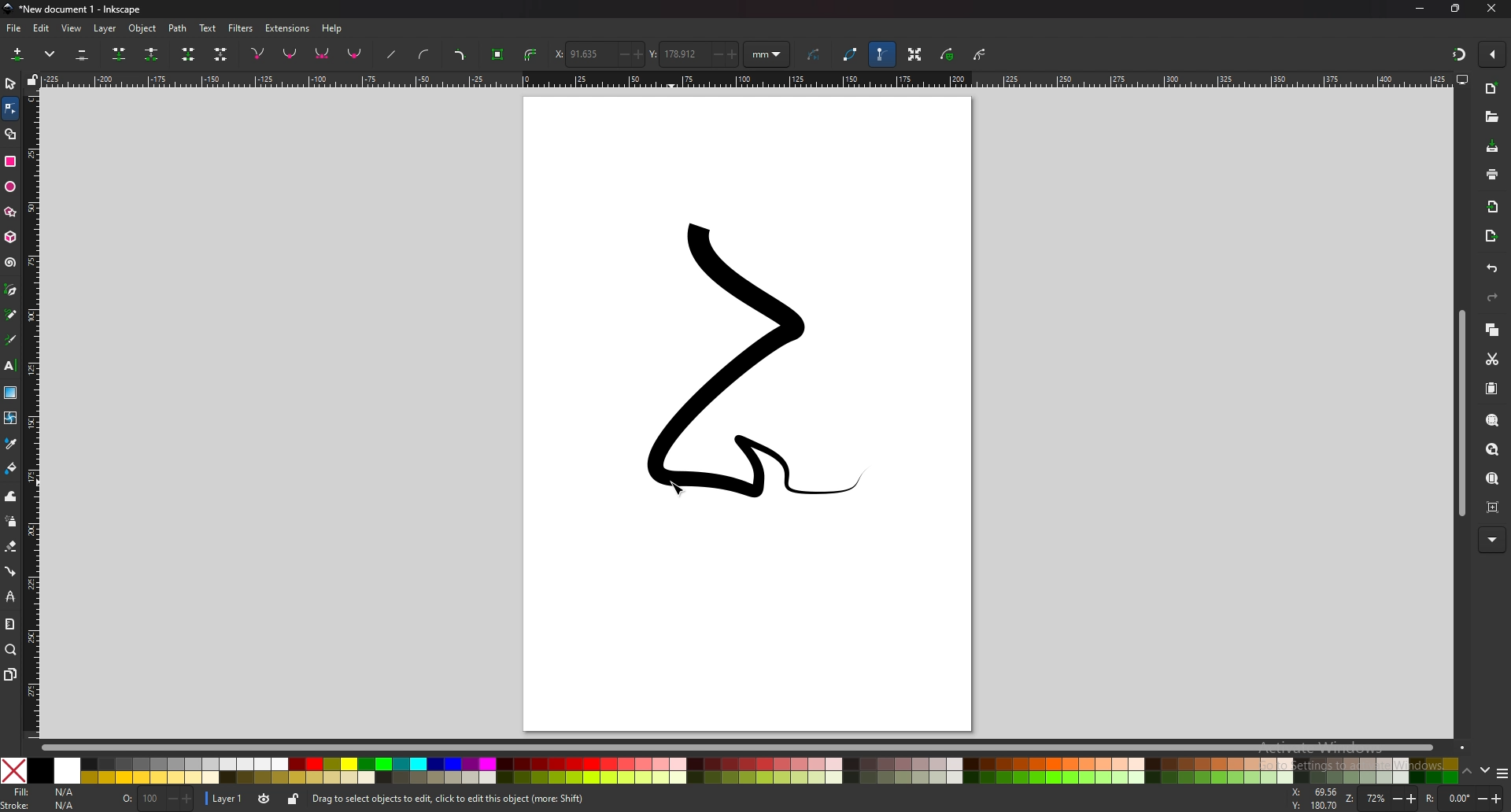  Describe the element at coordinates (11, 314) in the screenshot. I see `pencil` at that location.